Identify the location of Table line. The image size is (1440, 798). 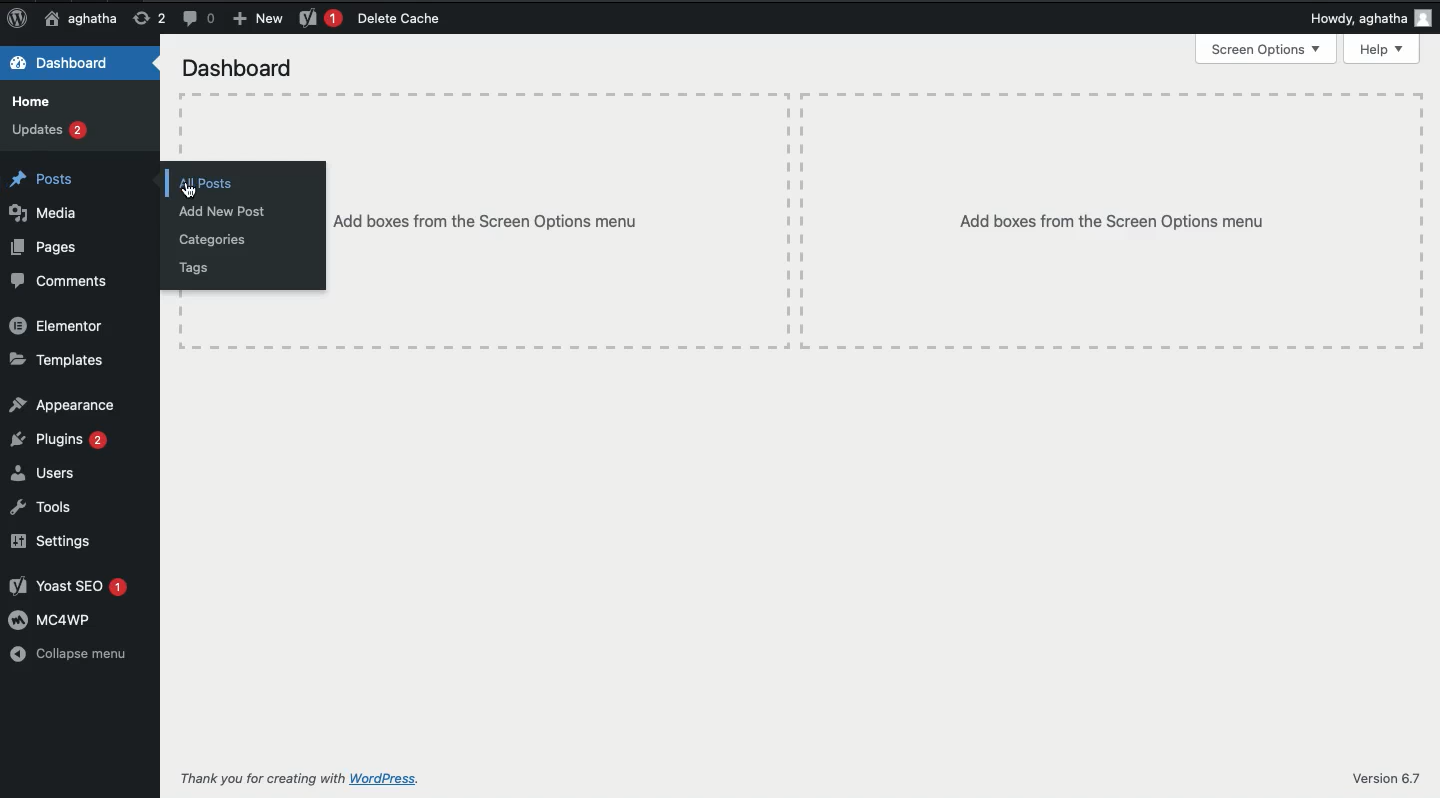
(787, 92).